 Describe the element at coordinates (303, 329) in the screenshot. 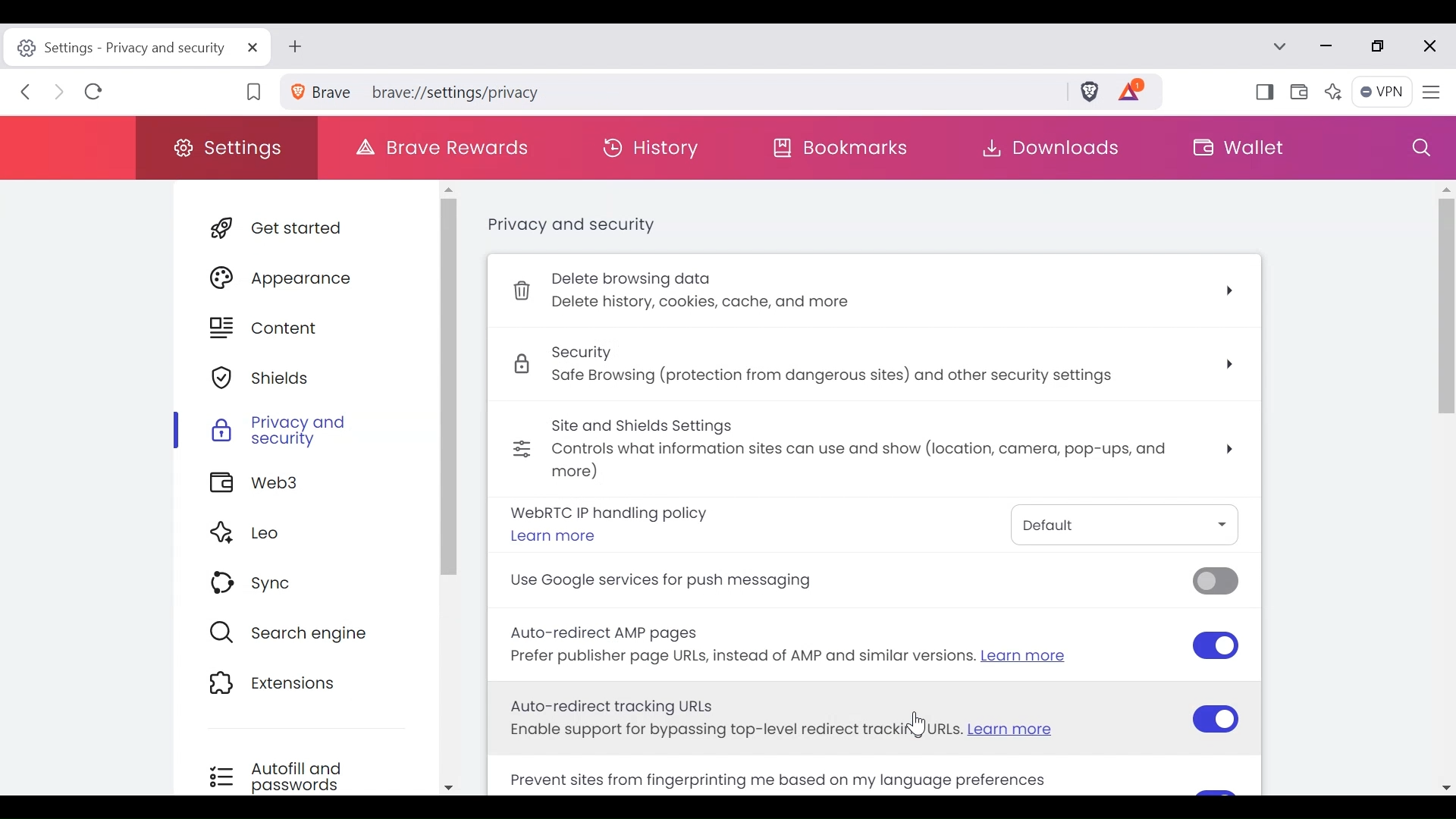

I see `Content` at that location.